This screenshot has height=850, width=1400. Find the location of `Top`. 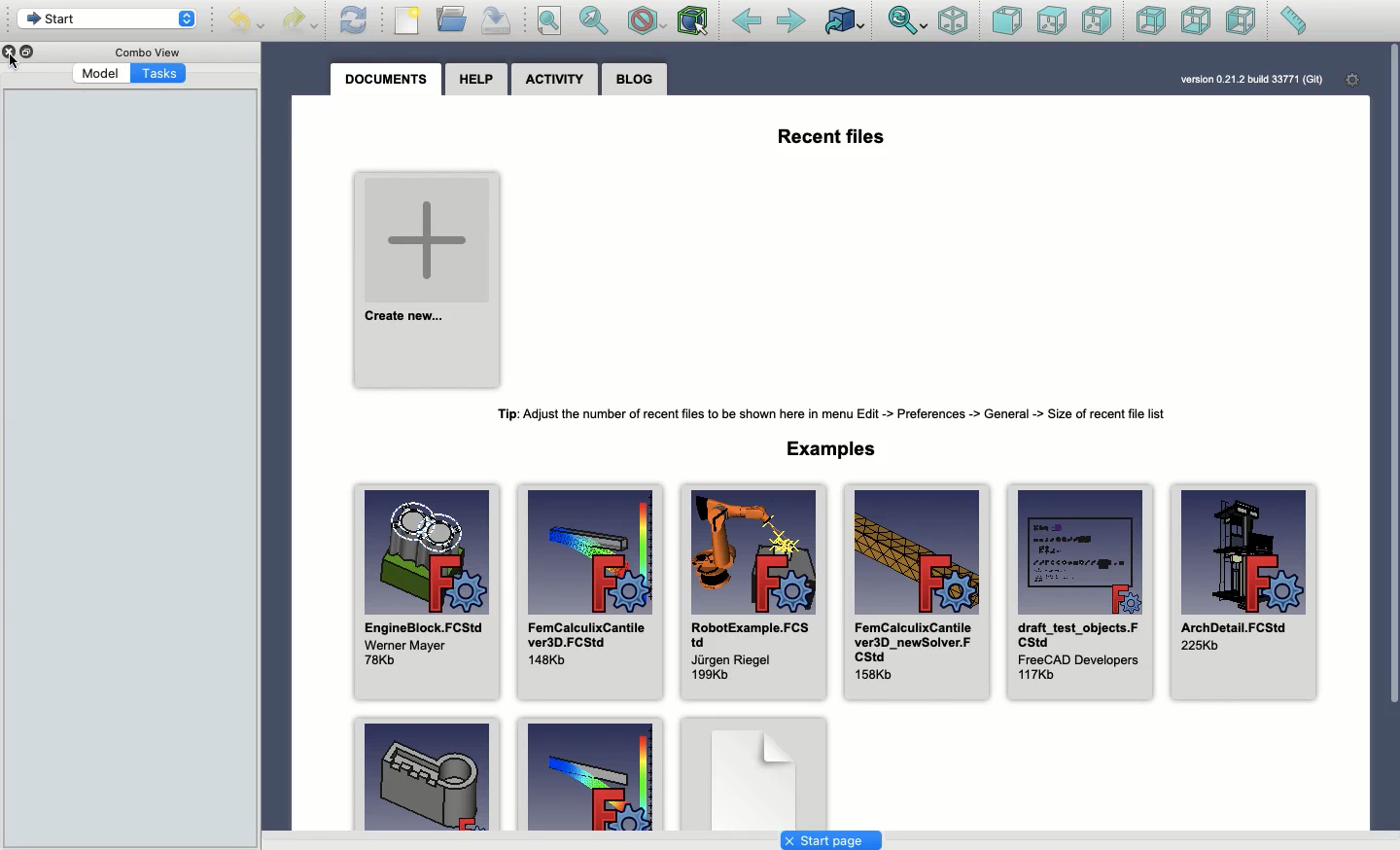

Top is located at coordinates (1053, 19).